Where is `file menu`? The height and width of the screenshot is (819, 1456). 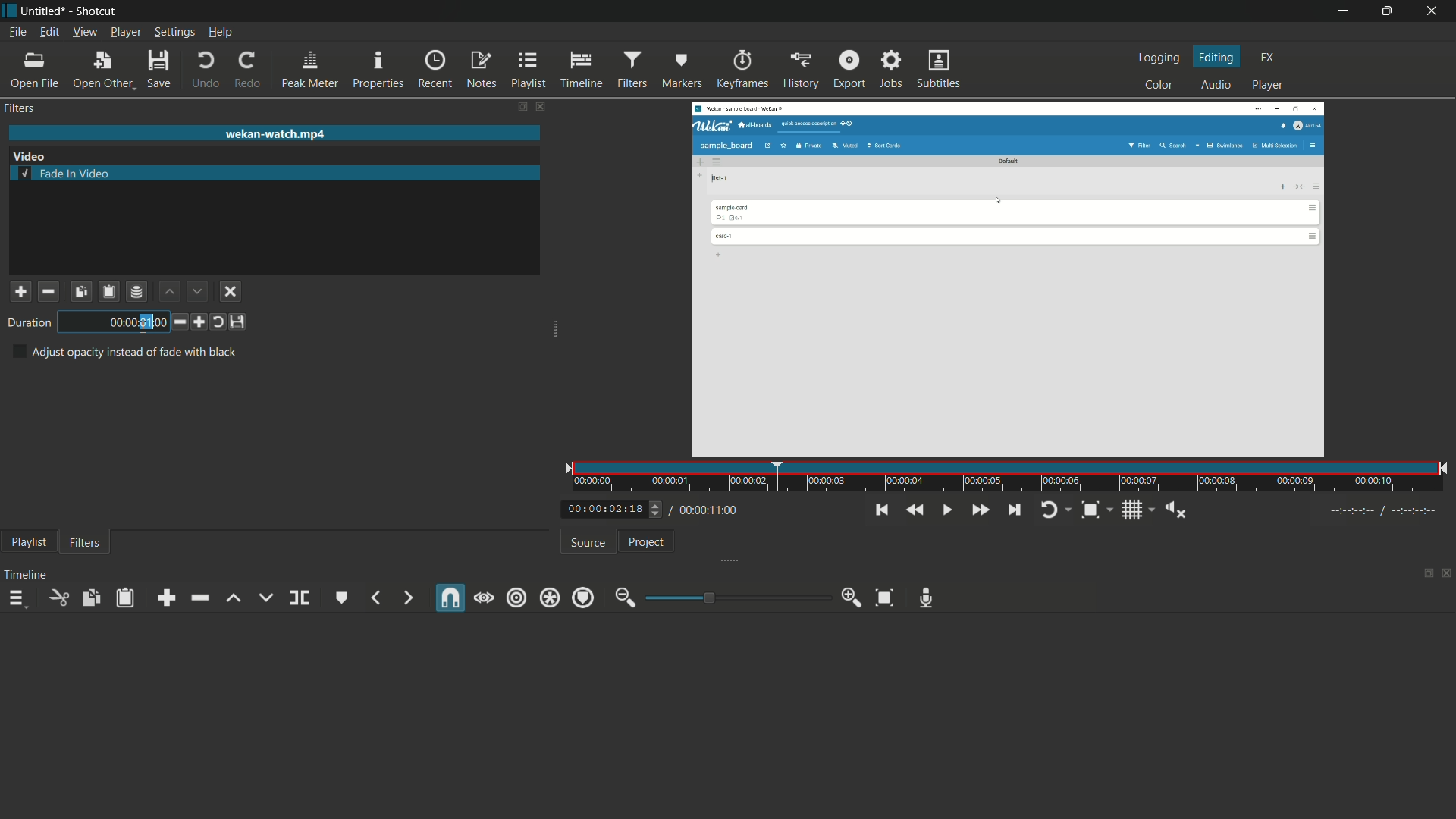 file menu is located at coordinates (16, 33).